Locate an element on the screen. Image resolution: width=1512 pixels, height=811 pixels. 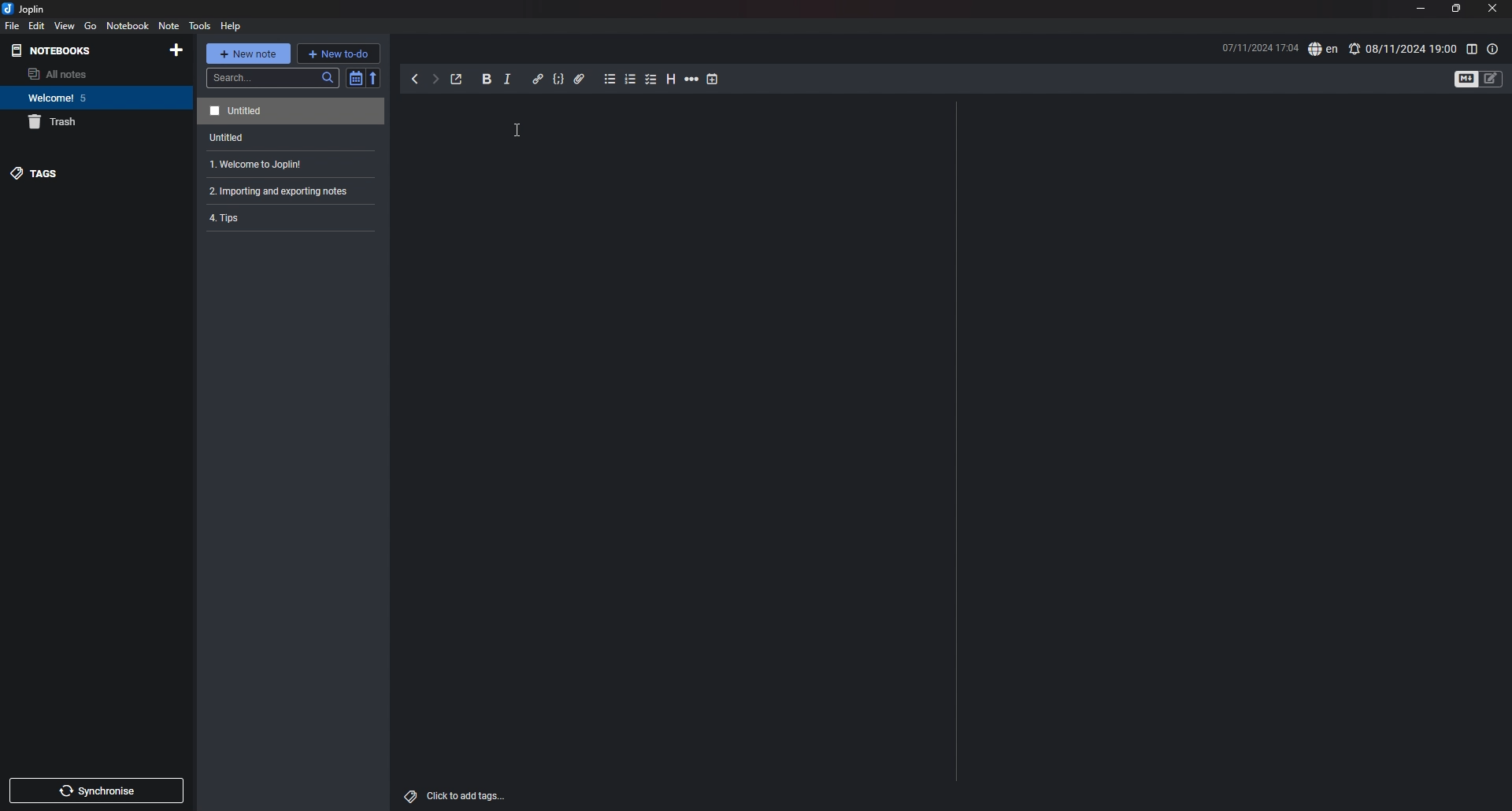
tags is located at coordinates (74, 172).